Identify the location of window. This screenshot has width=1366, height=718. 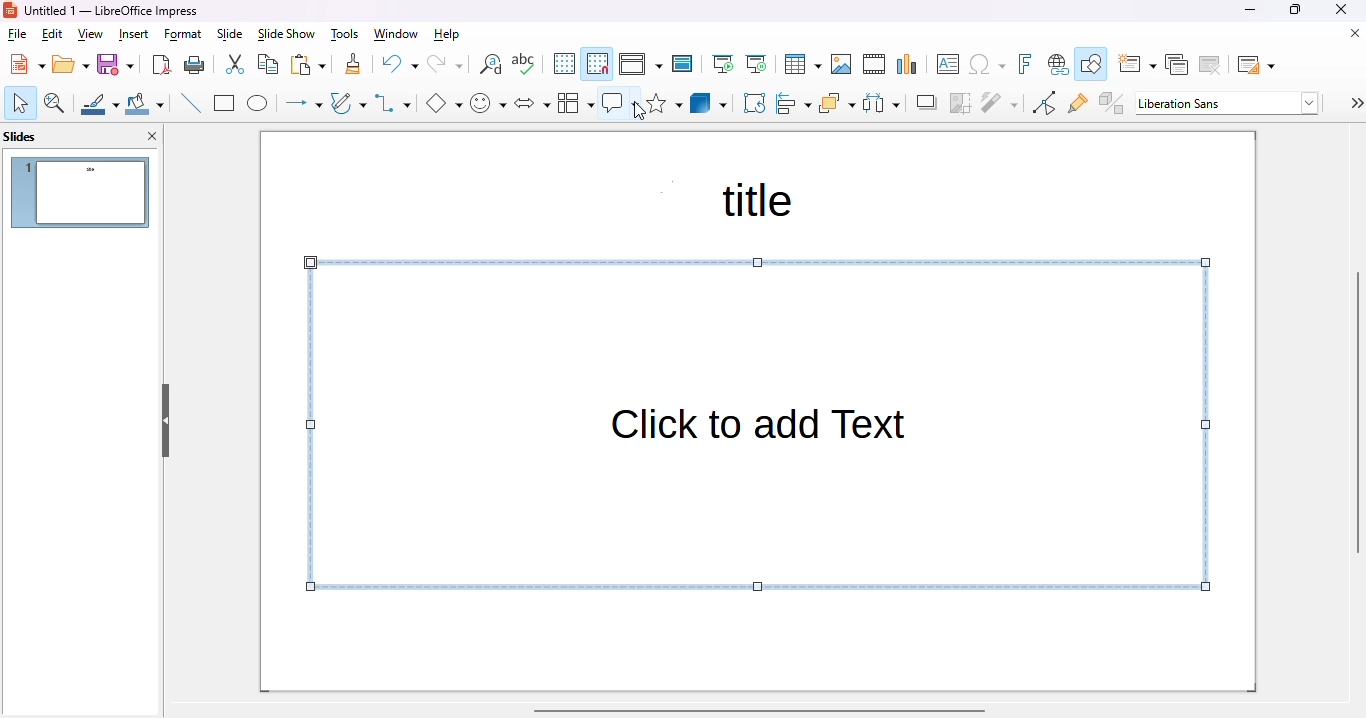
(396, 34).